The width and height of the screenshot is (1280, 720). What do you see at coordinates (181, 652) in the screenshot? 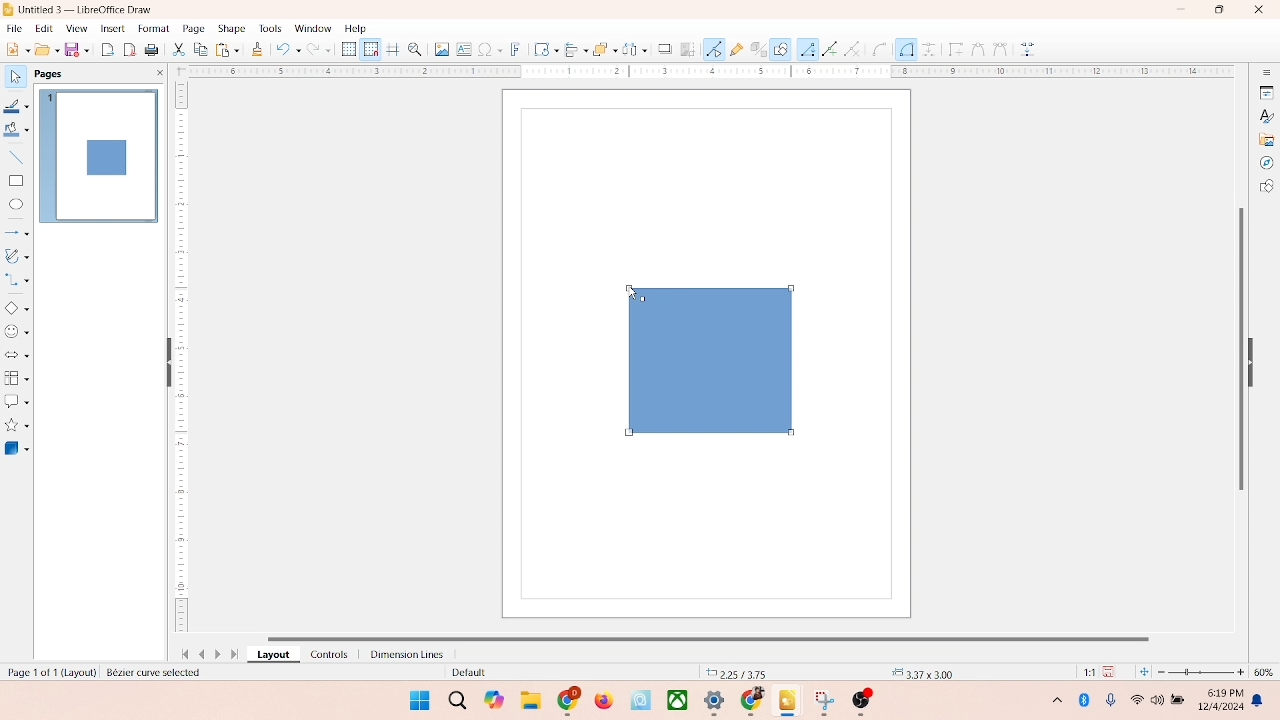
I see `first page` at bounding box center [181, 652].